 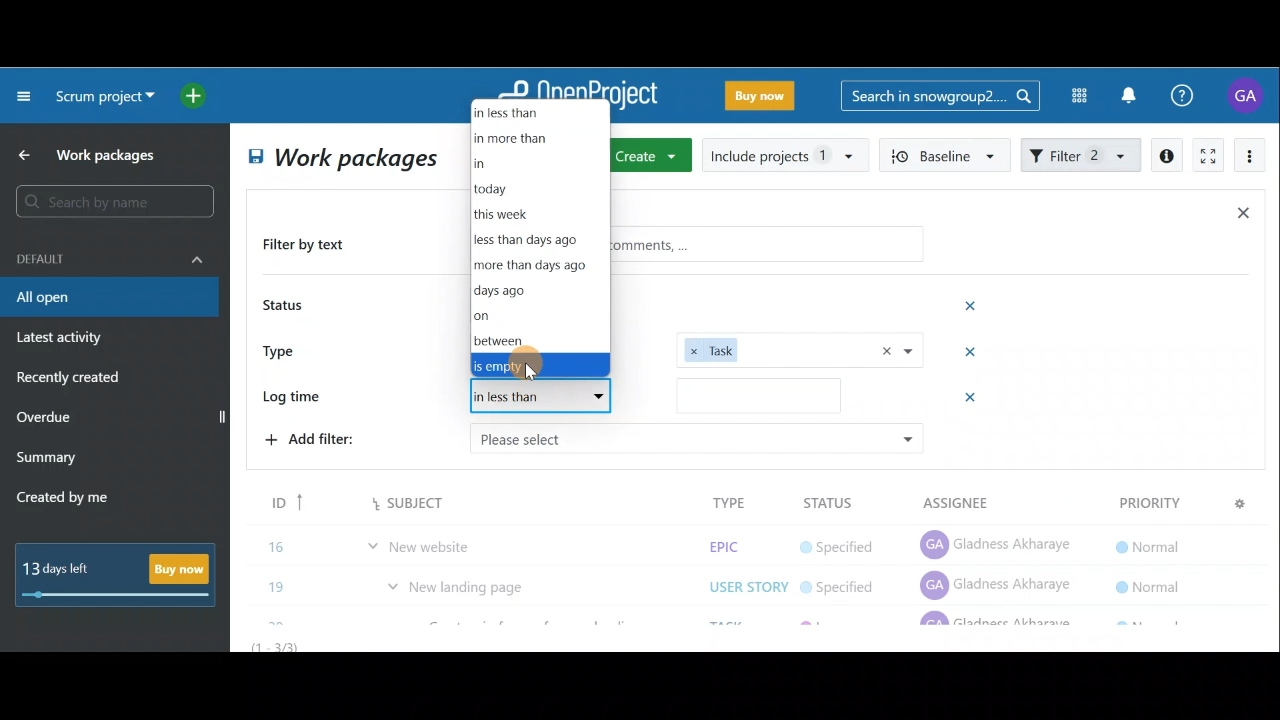 I want to click on More actions, so click(x=1250, y=159).